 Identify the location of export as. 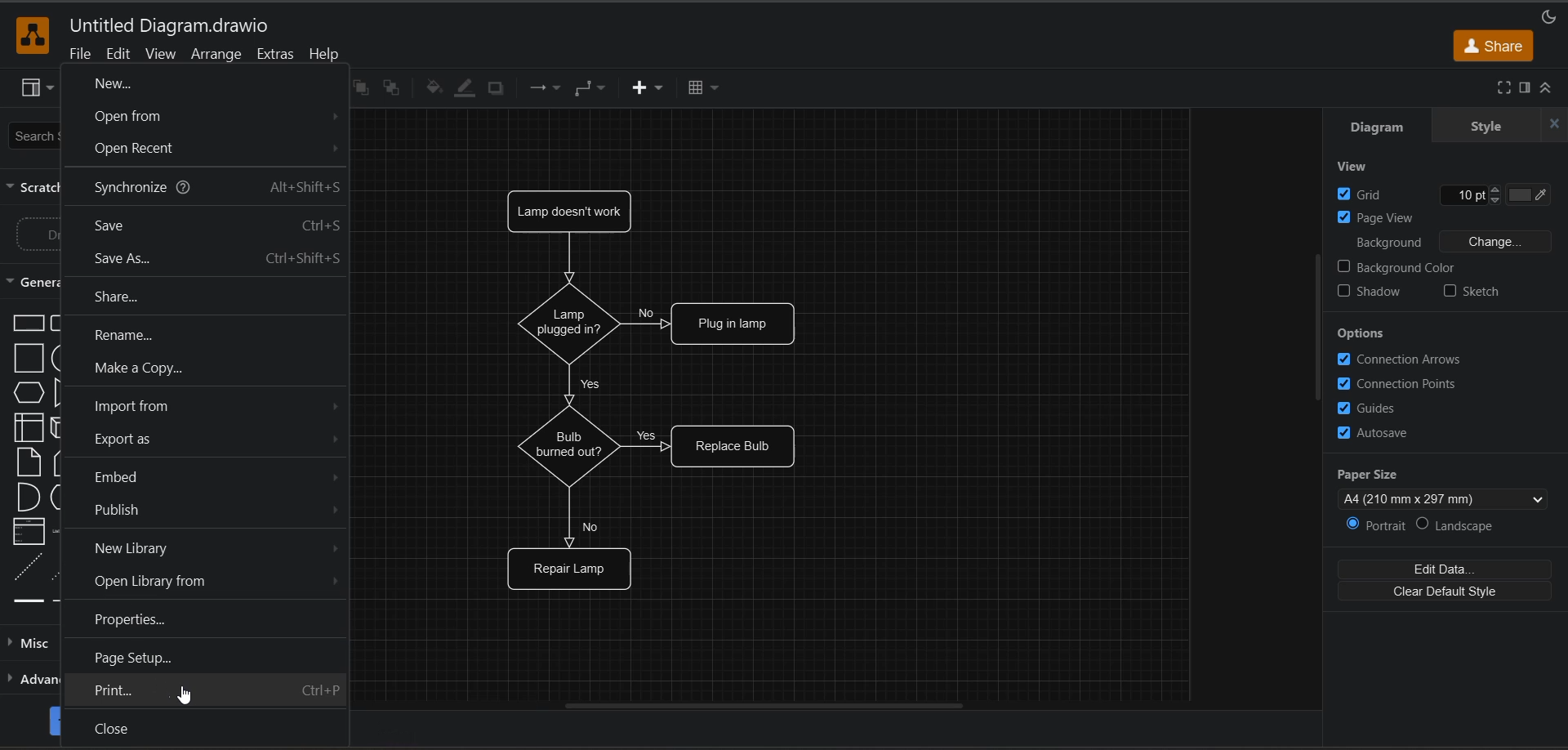
(221, 436).